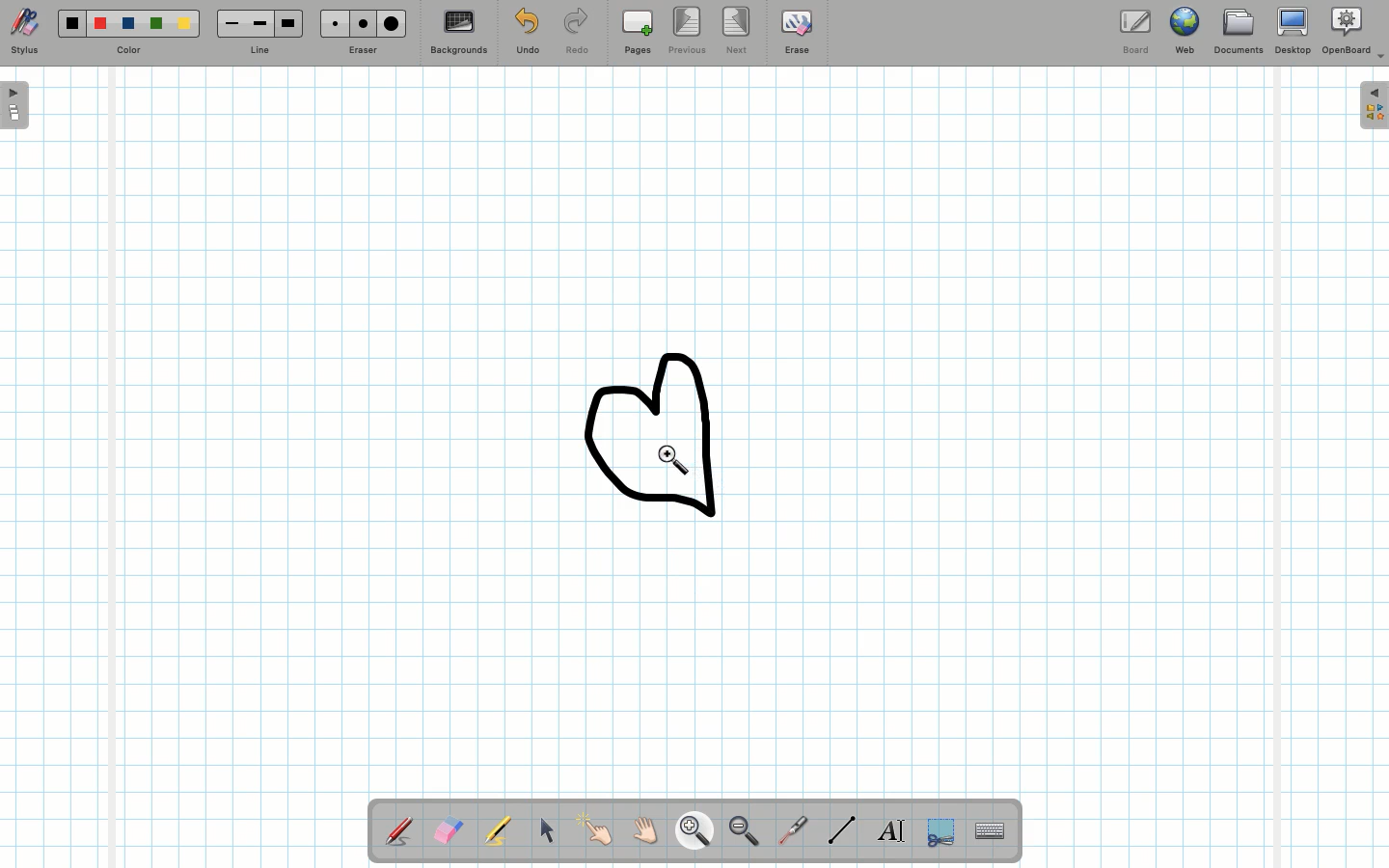 The width and height of the screenshot is (1389, 868). Describe the element at coordinates (989, 829) in the screenshot. I see `TextInput` at that location.